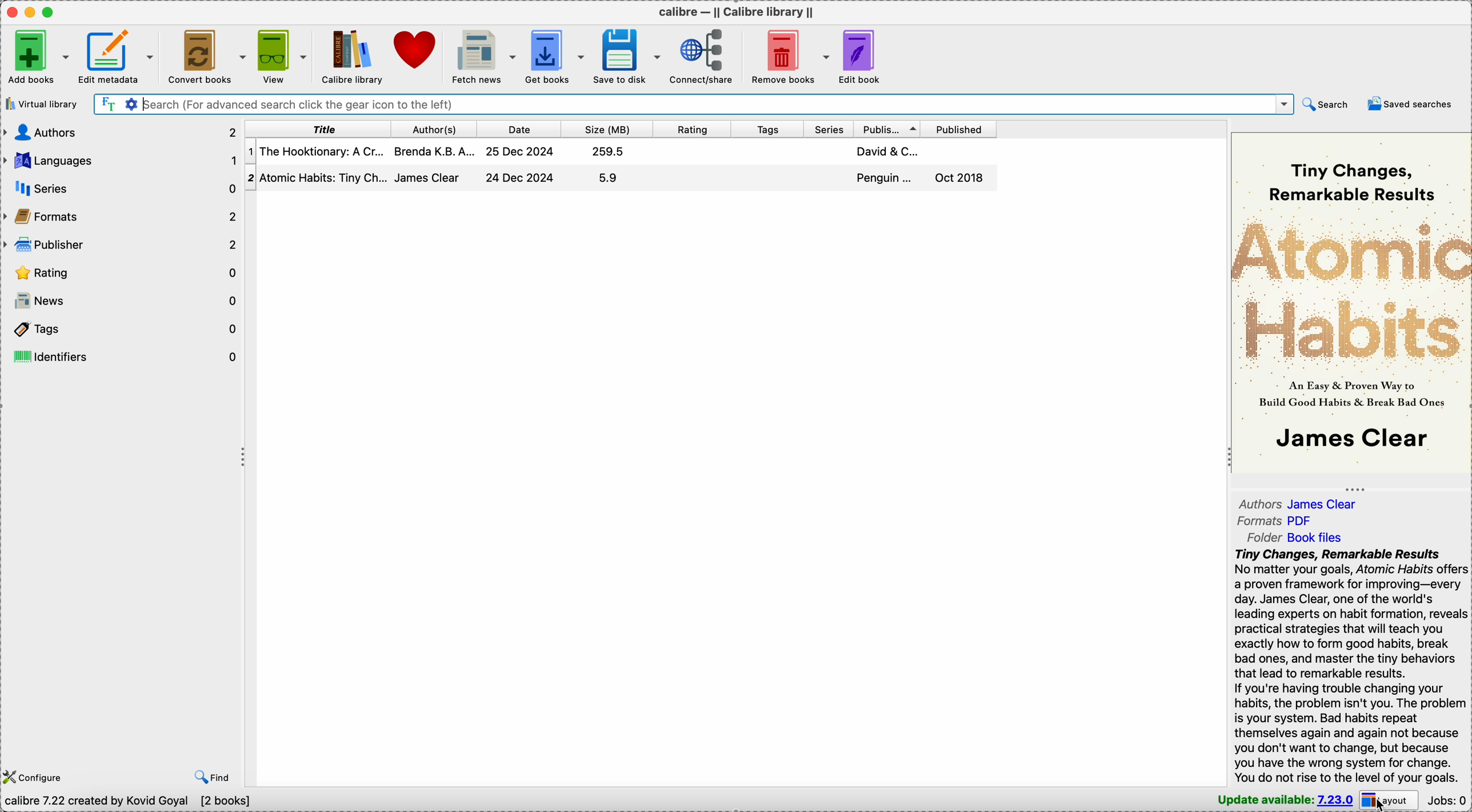 This screenshot has width=1472, height=812. Describe the element at coordinates (119, 187) in the screenshot. I see `series` at that location.